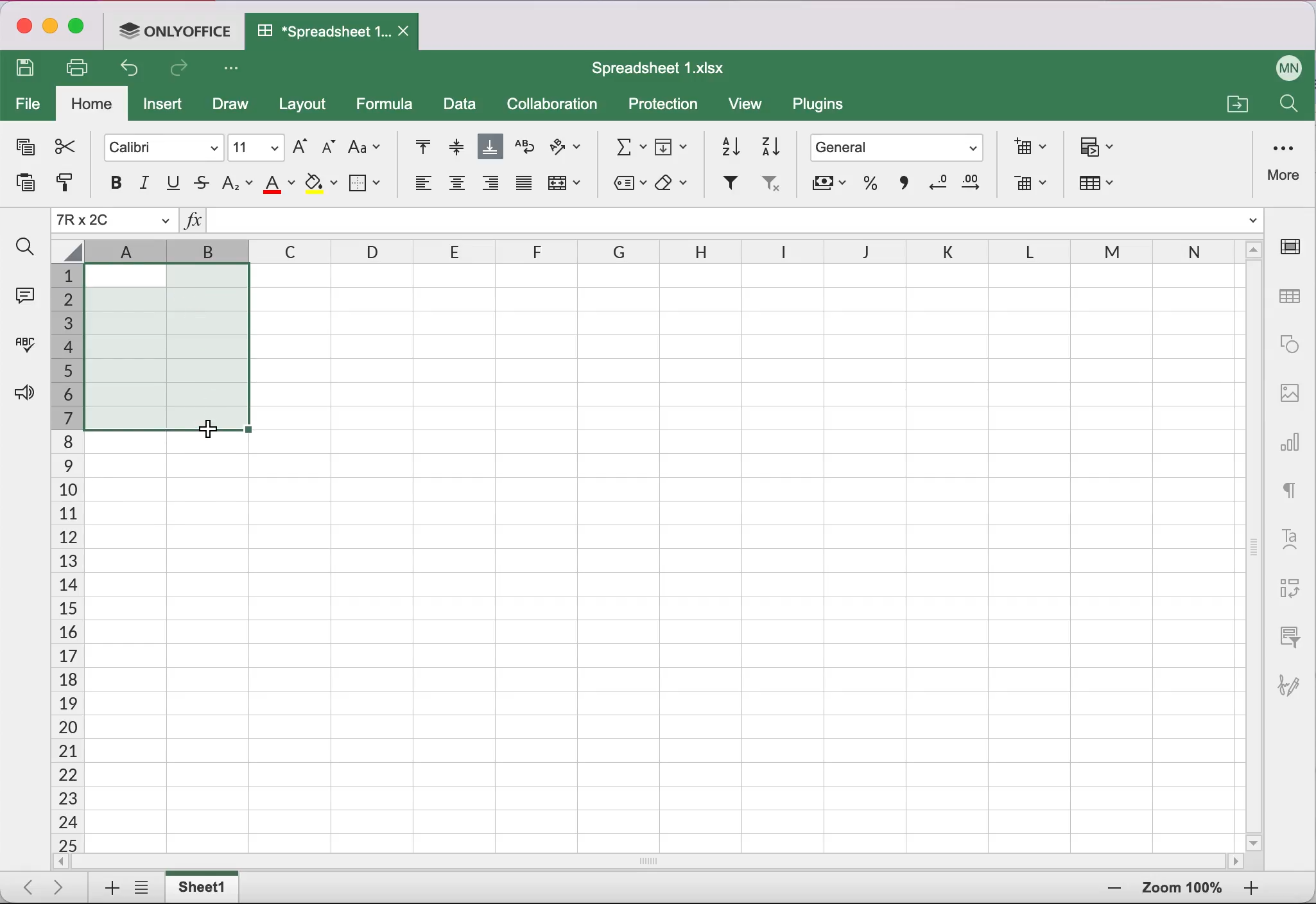 This screenshot has width=1316, height=904. I want to click on data, so click(461, 106).